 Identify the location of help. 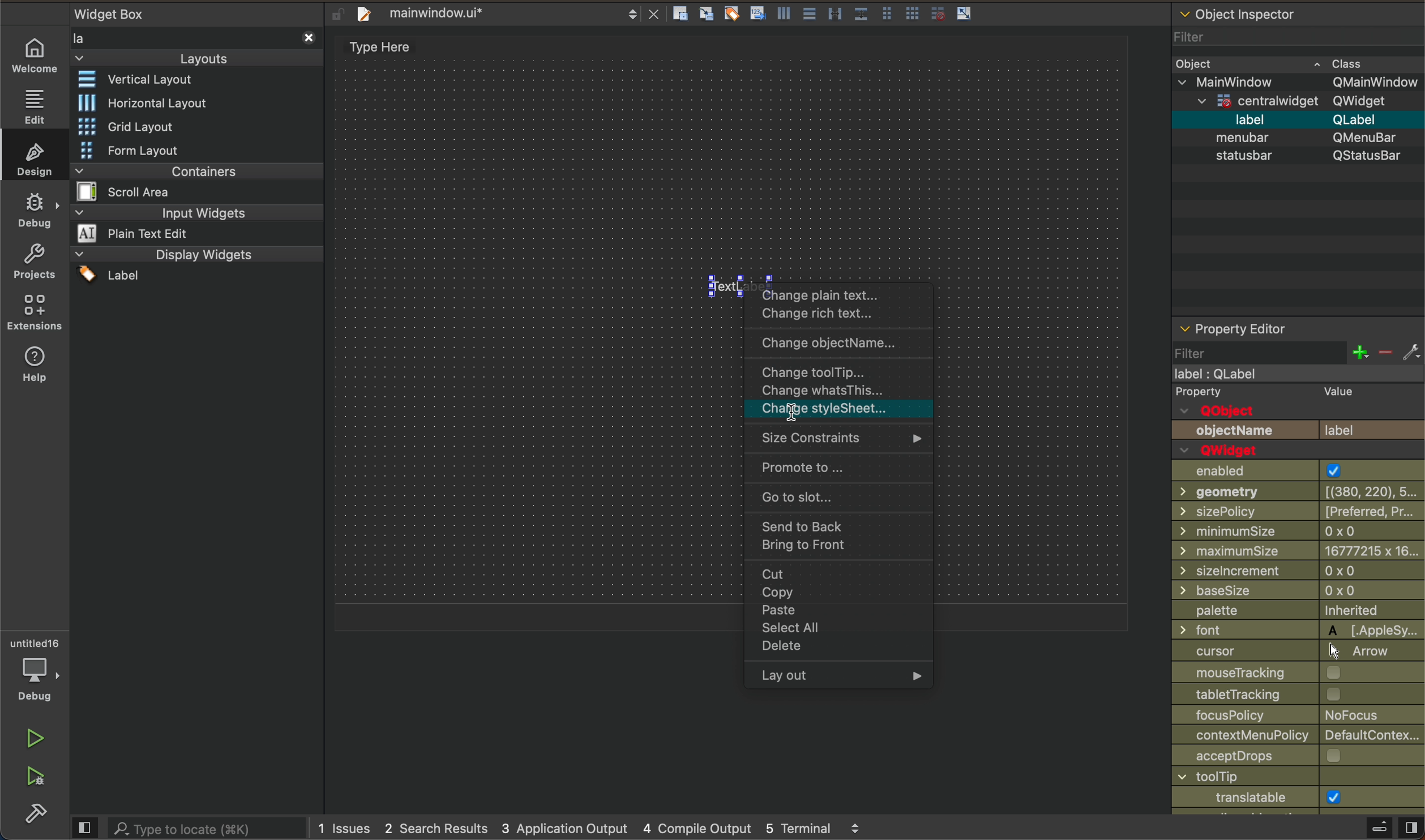
(35, 367).